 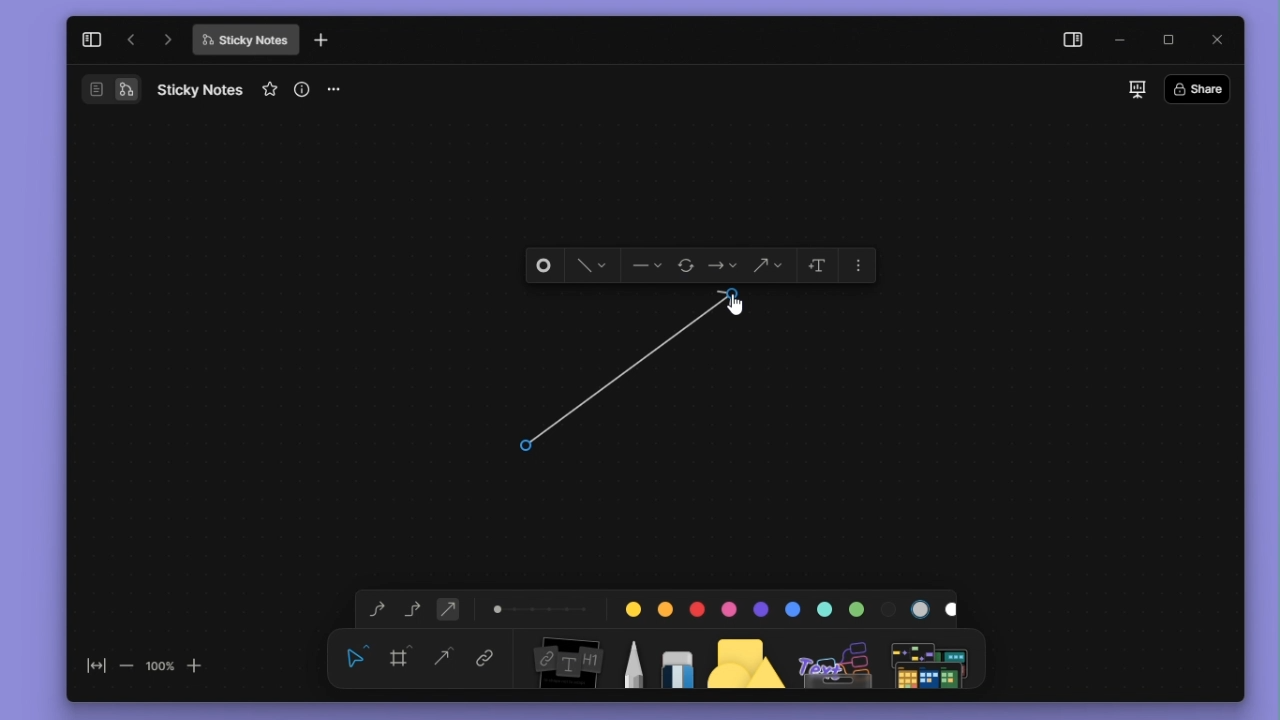 What do you see at coordinates (1175, 41) in the screenshot?
I see `maximize` at bounding box center [1175, 41].